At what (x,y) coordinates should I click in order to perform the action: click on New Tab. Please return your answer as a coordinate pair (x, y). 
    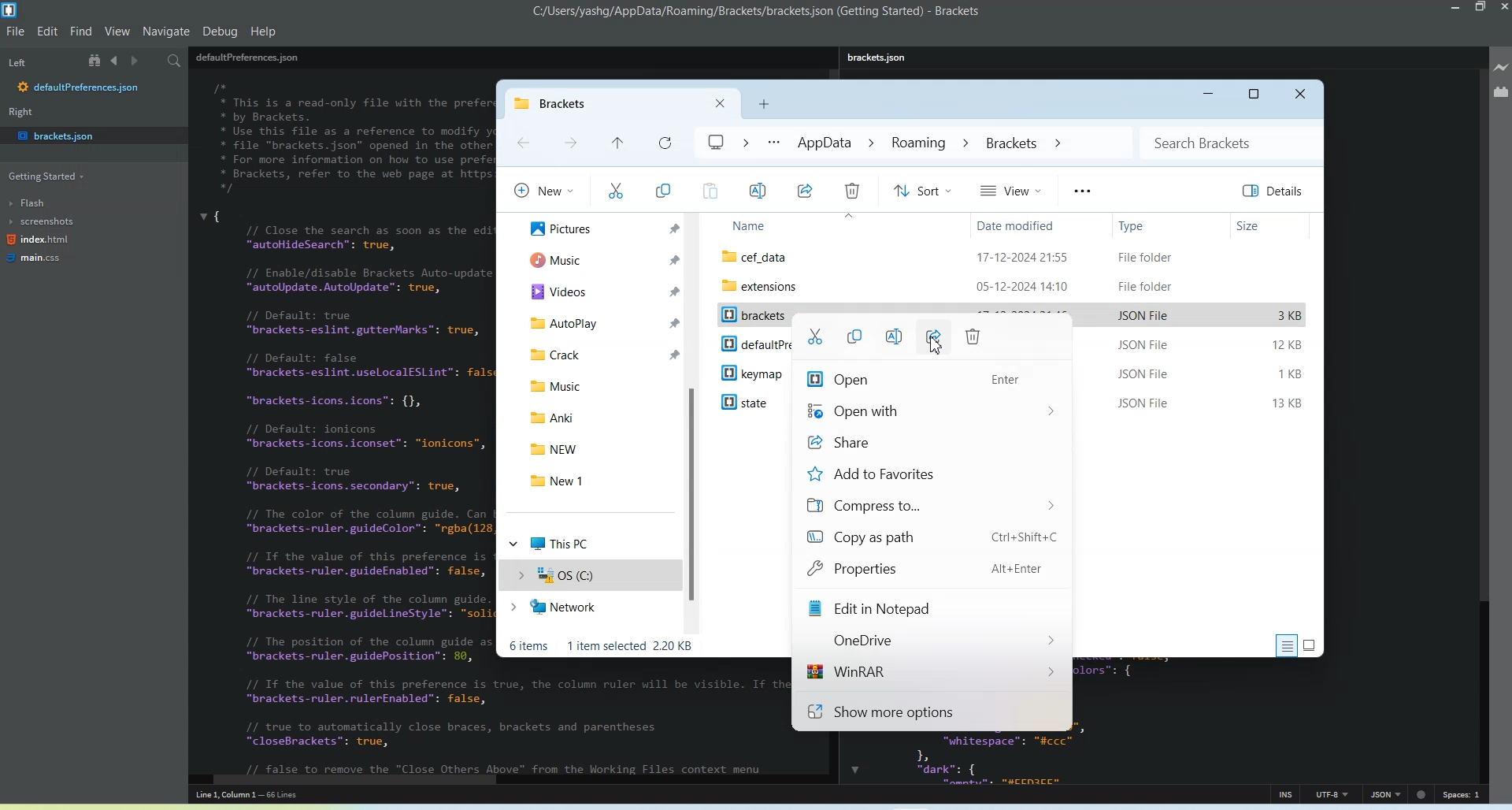
    Looking at the image, I should click on (764, 104).